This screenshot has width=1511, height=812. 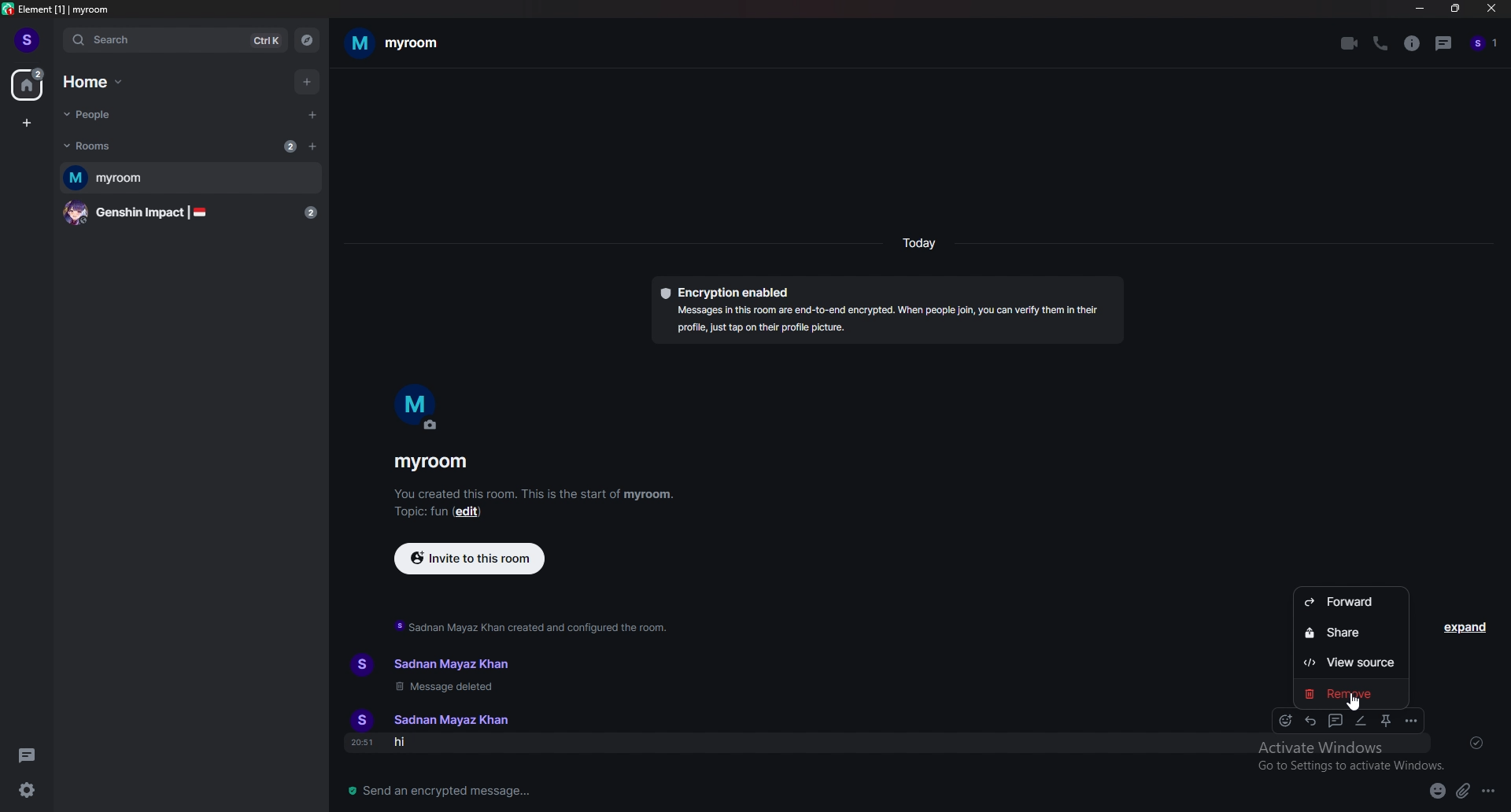 What do you see at coordinates (1467, 627) in the screenshot?
I see `expand` at bounding box center [1467, 627].